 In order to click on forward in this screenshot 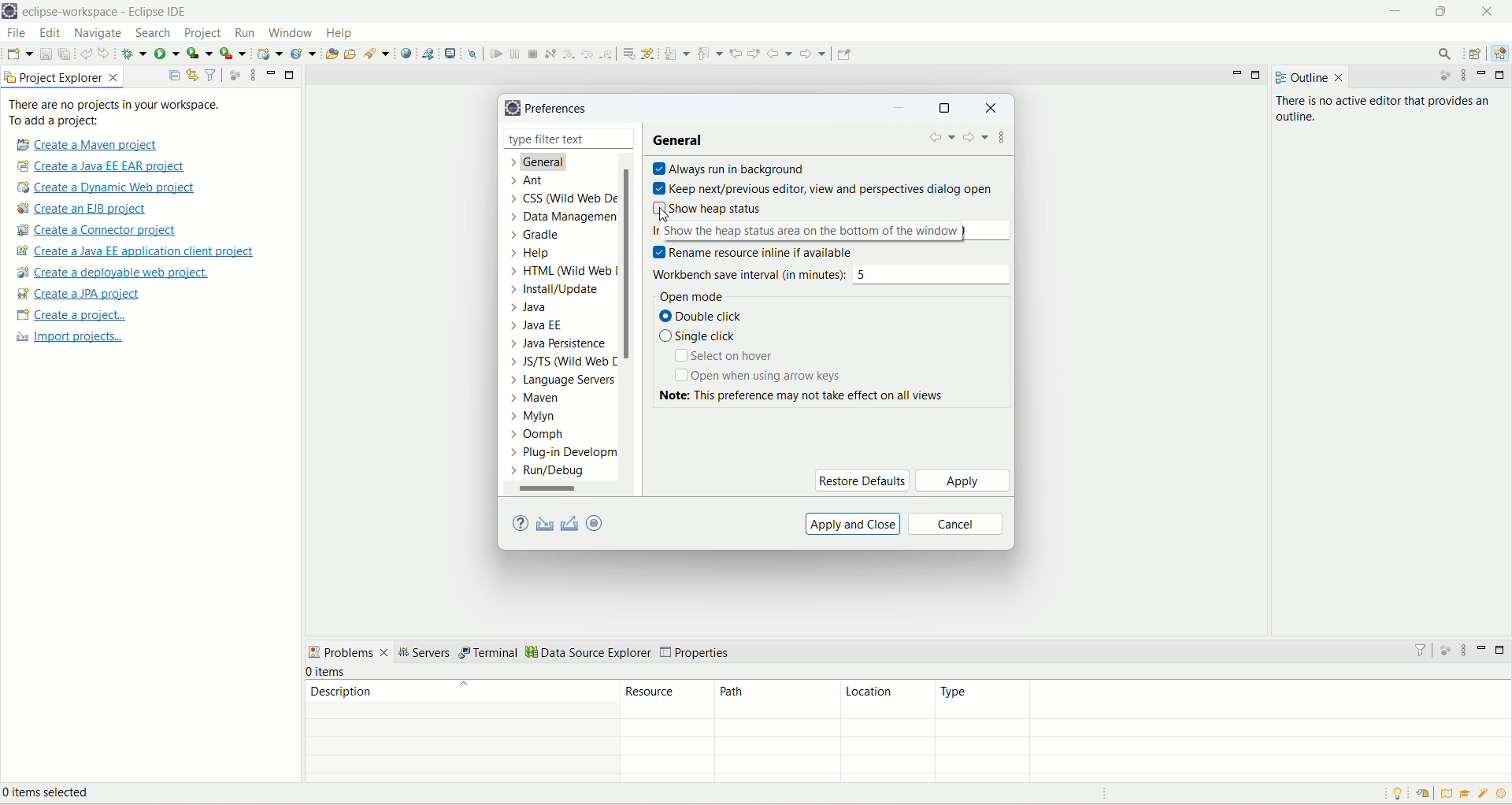, I will do `click(976, 139)`.